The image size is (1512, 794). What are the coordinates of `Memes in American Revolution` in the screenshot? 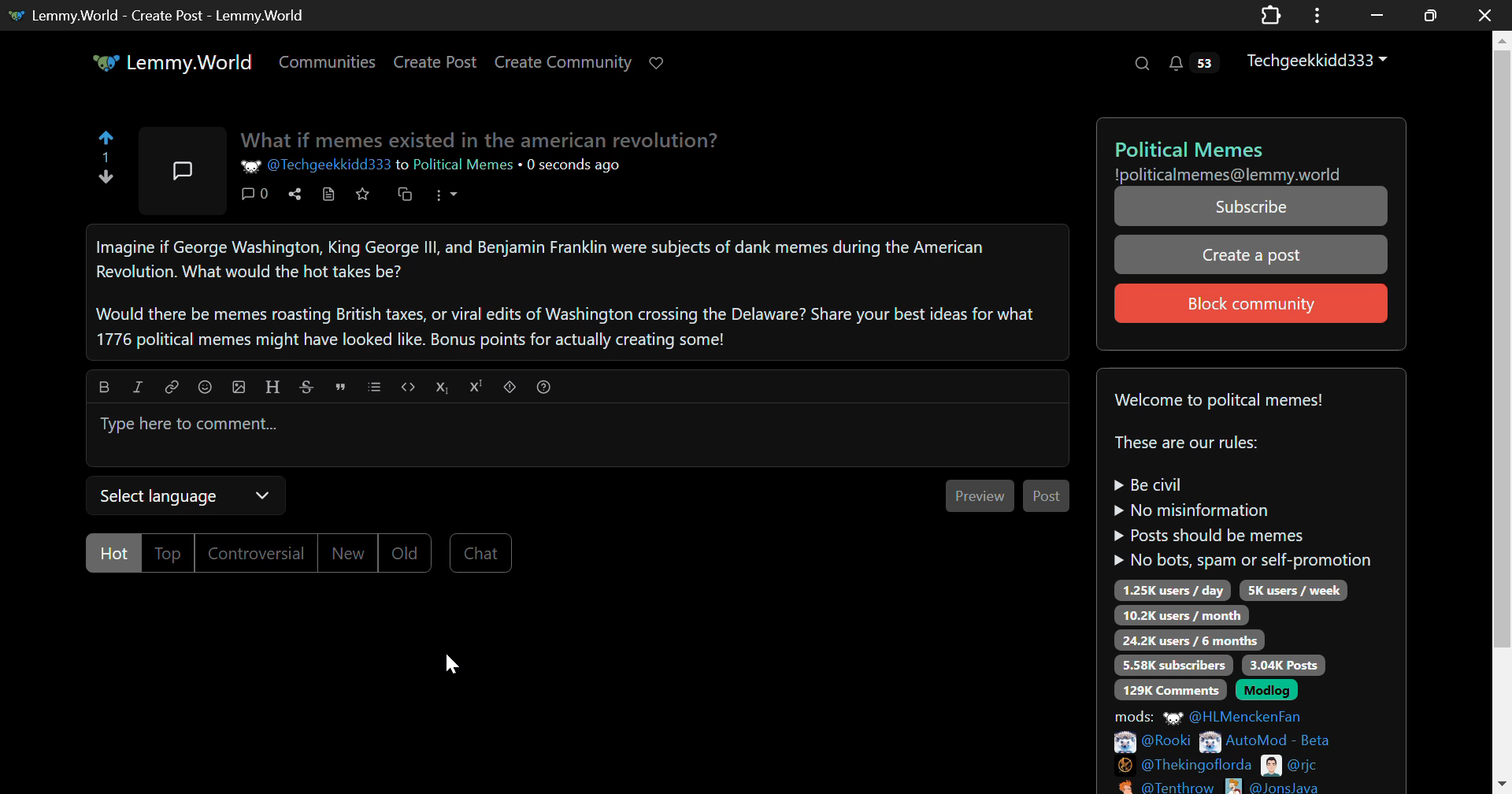 It's located at (572, 291).